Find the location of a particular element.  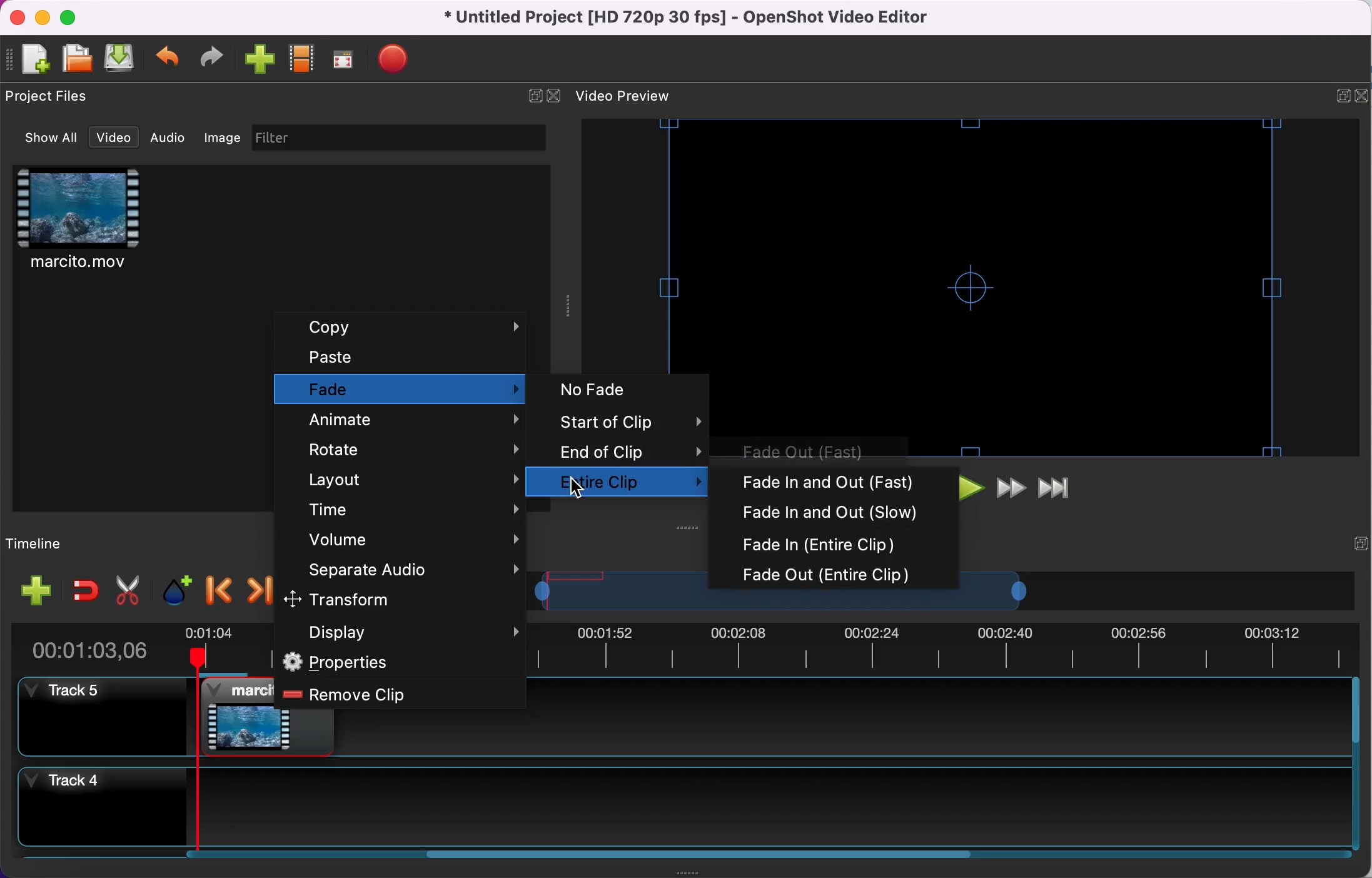

timeline is located at coordinates (53, 545).